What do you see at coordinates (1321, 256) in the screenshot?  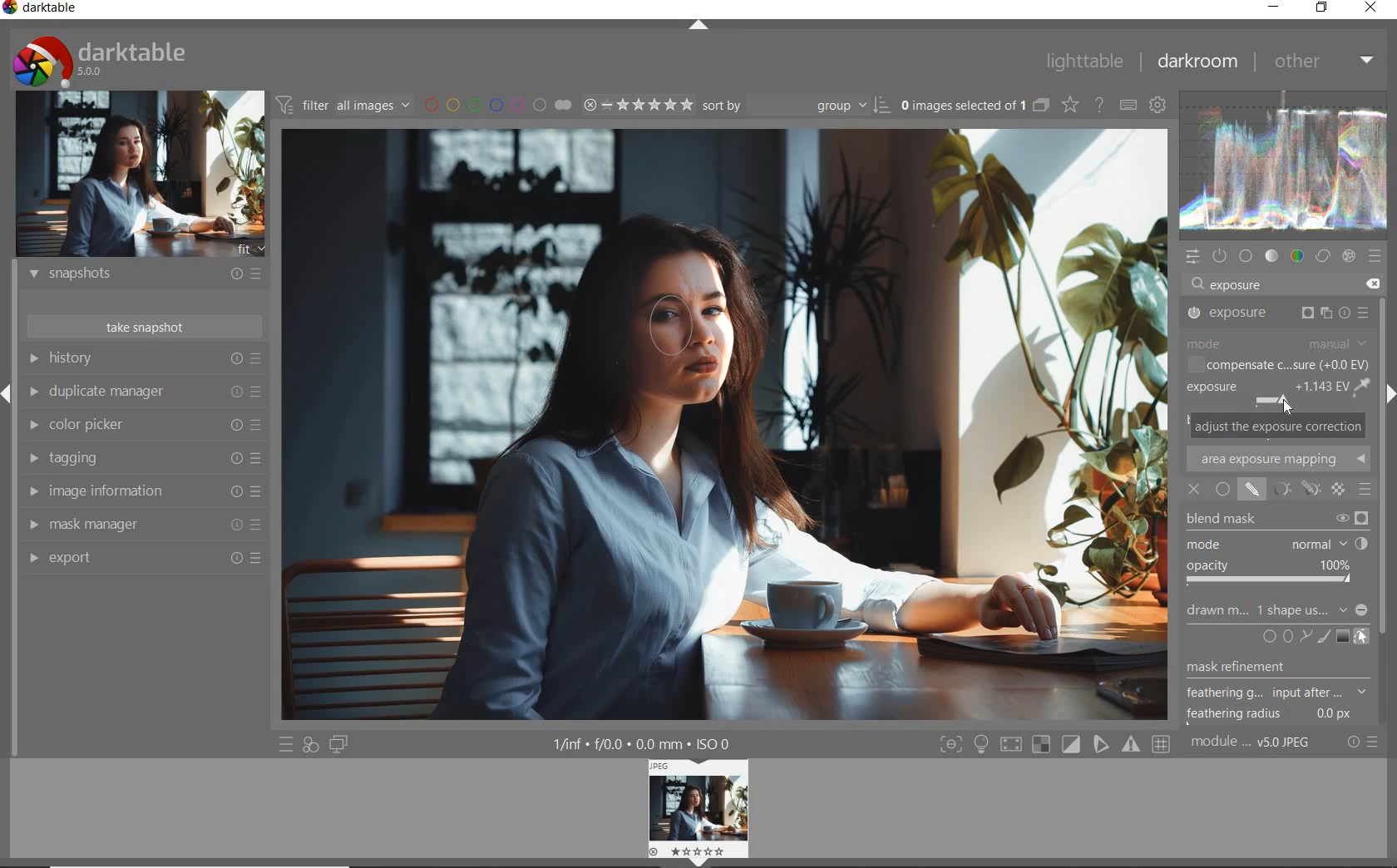 I see `correct` at bounding box center [1321, 256].